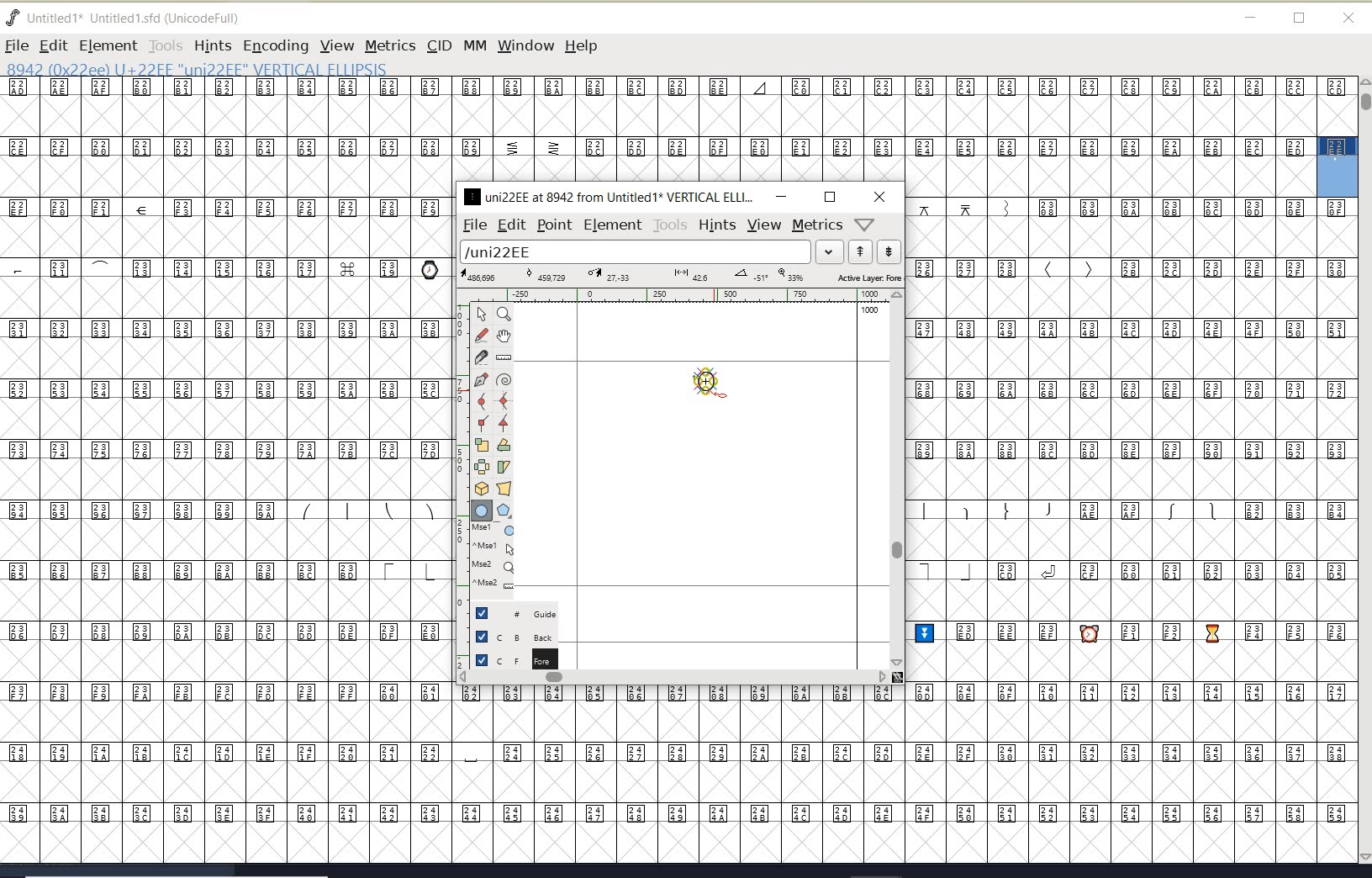  What do you see at coordinates (525, 45) in the screenshot?
I see `window` at bounding box center [525, 45].